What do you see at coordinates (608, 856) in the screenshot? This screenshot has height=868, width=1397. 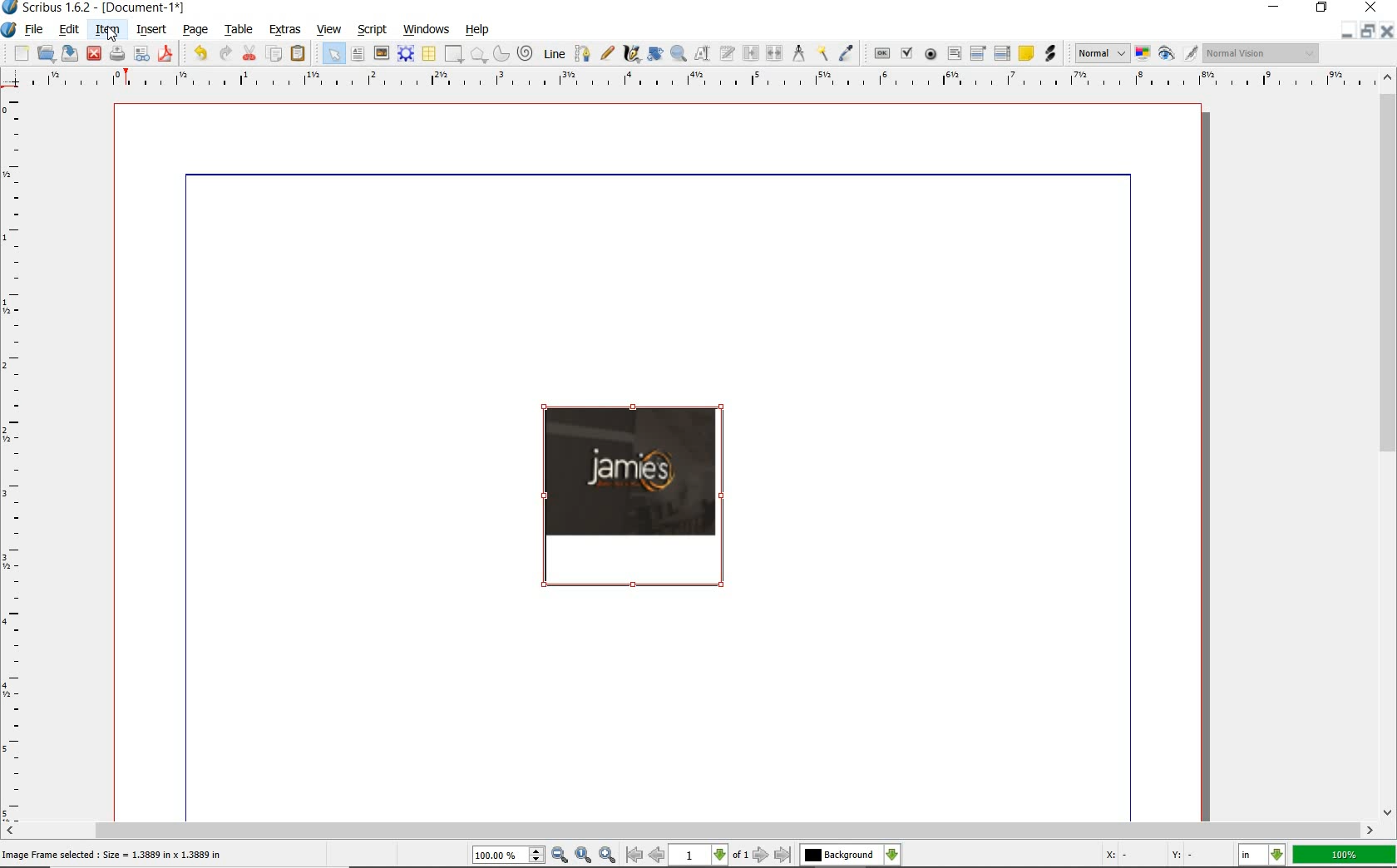 I see `Zoom In` at bounding box center [608, 856].